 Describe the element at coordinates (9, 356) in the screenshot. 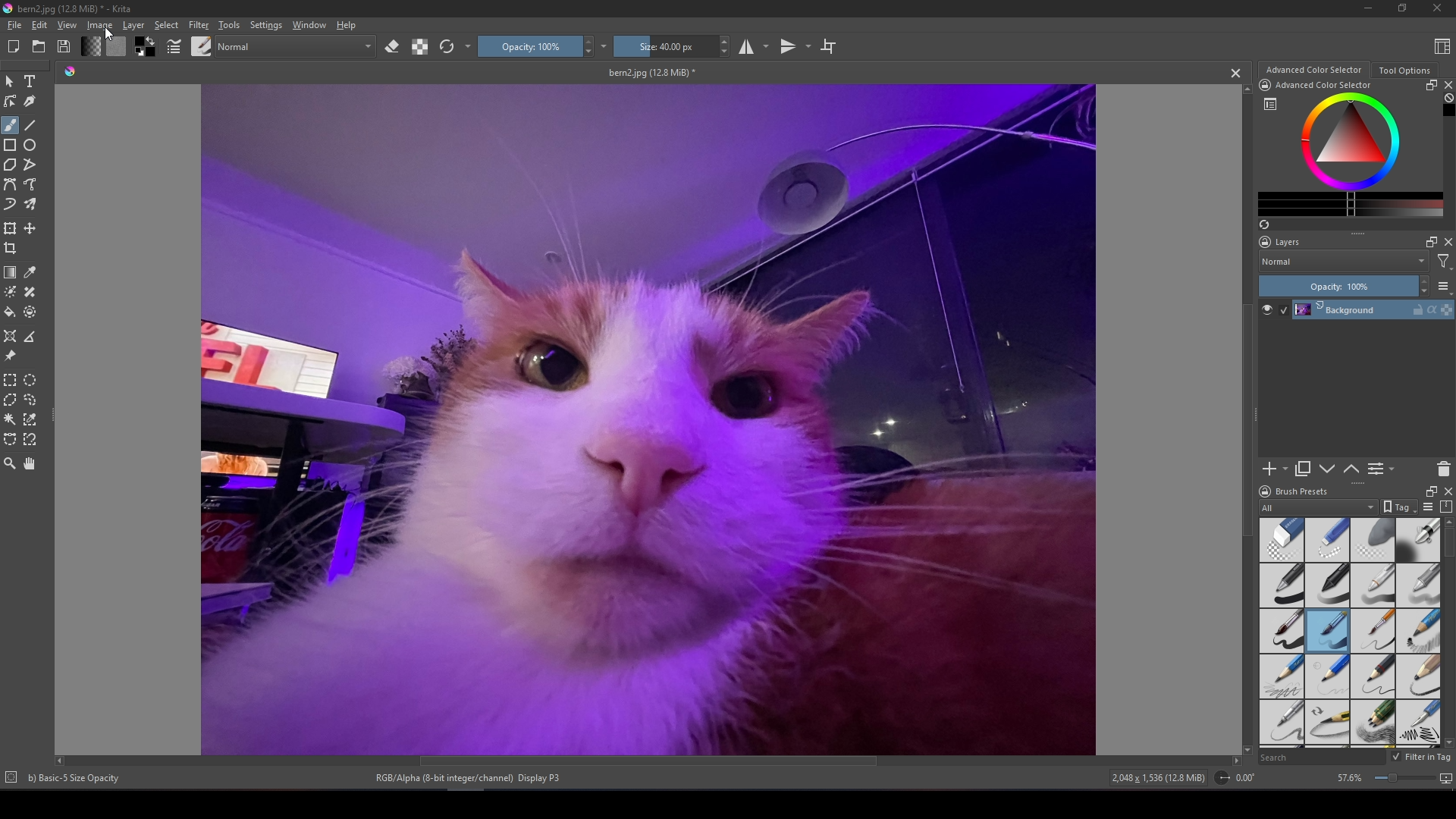

I see `Reference images tool` at that location.